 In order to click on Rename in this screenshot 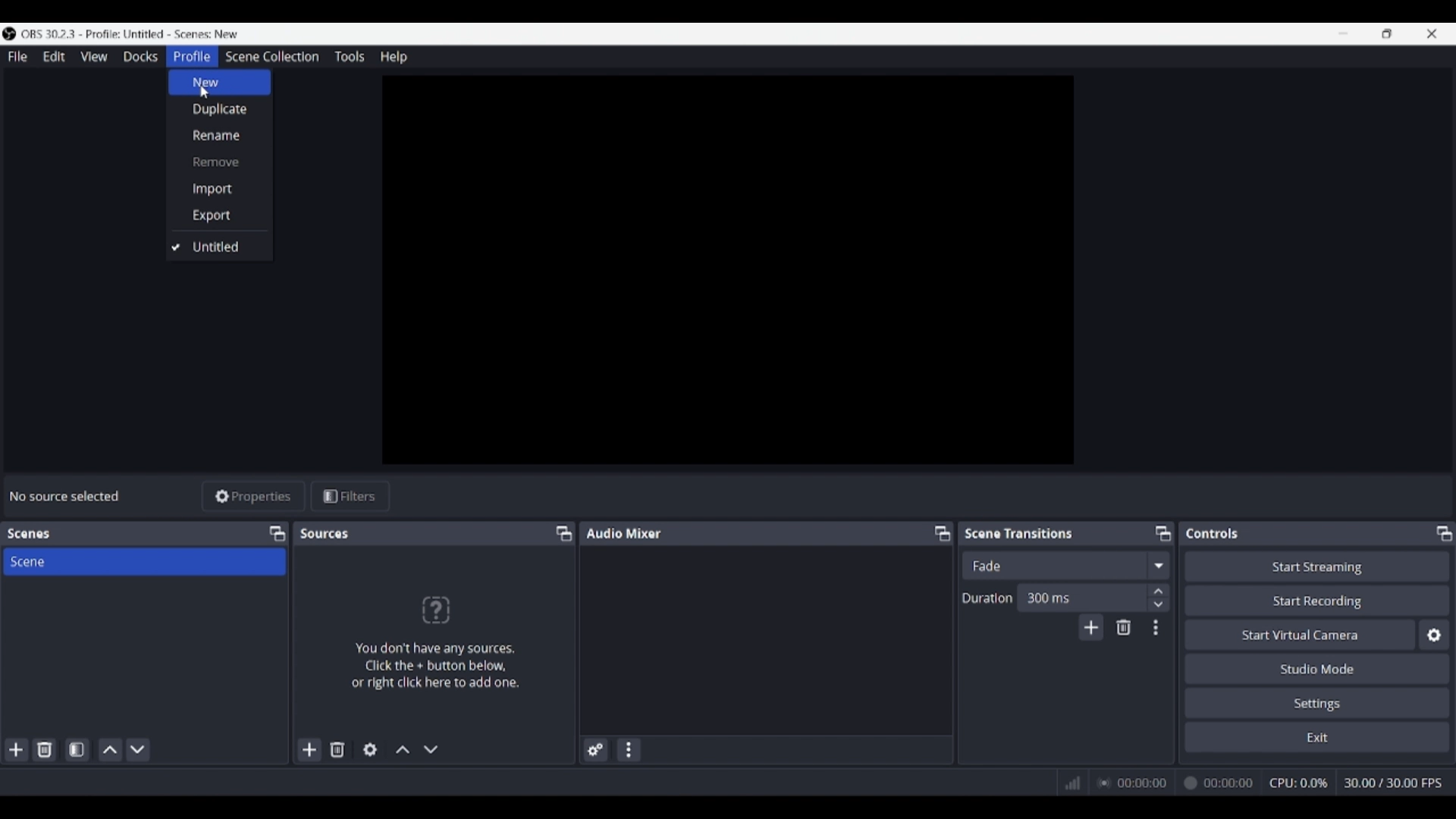, I will do `click(219, 134)`.